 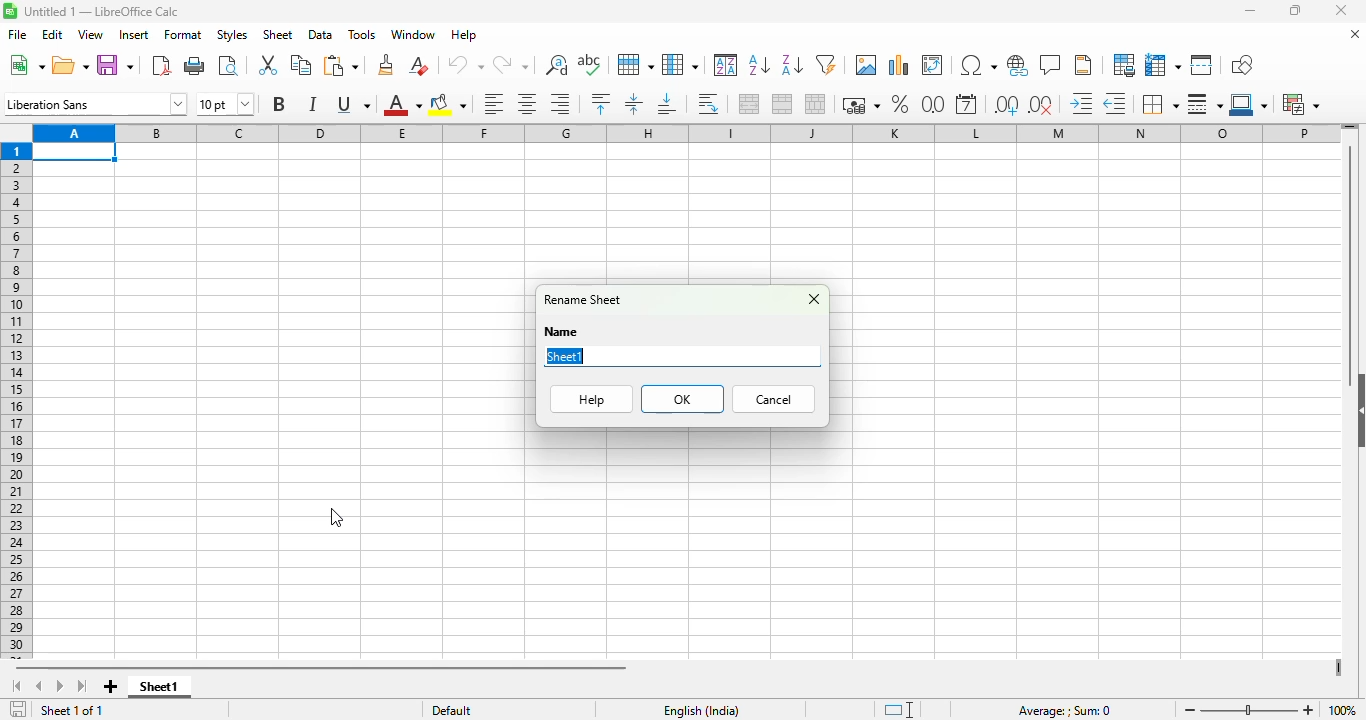 I want to click on font name, so click(x=95, y=103).